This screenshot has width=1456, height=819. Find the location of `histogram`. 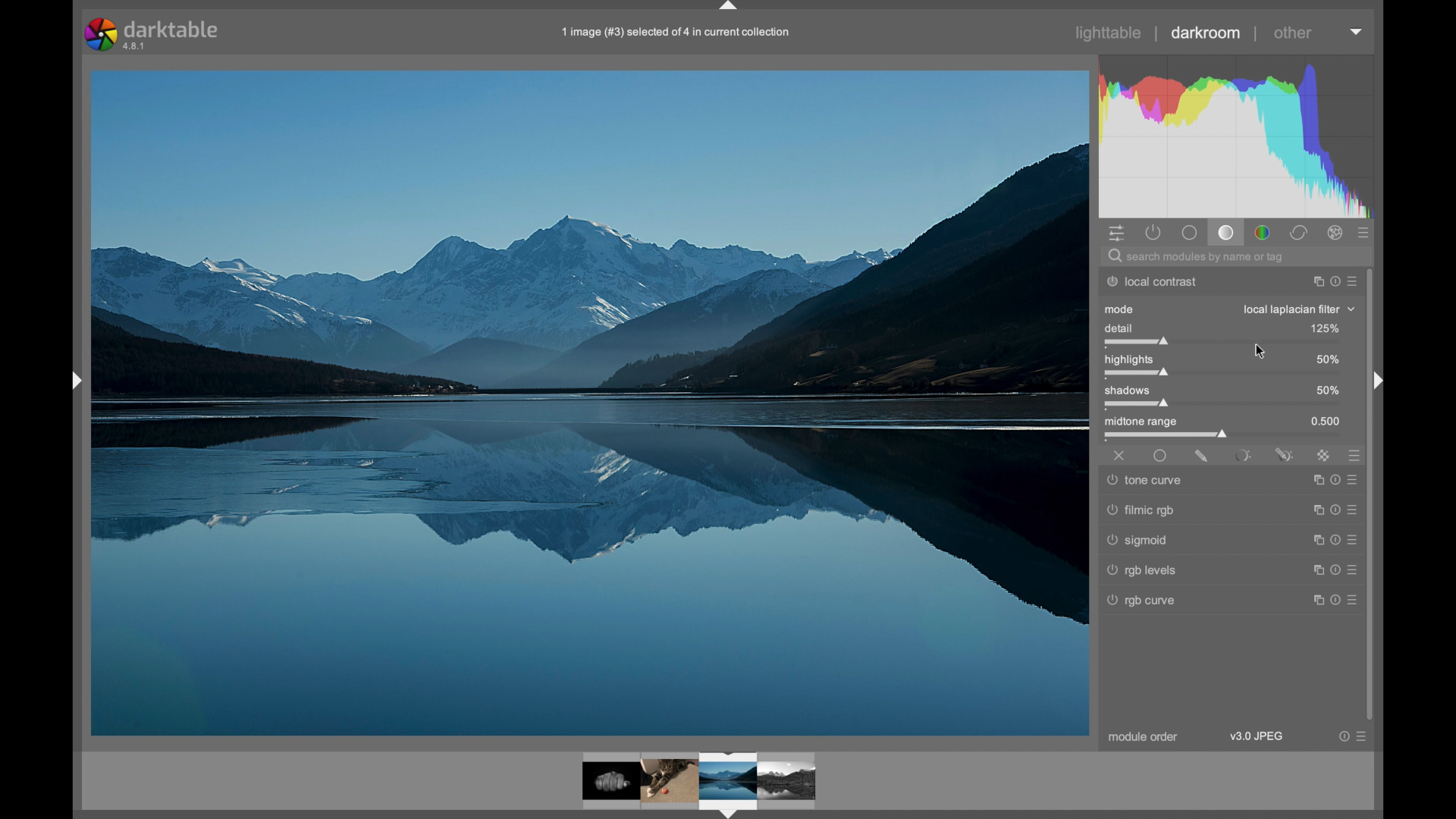

histogram is located at coordinates (1357, 32).